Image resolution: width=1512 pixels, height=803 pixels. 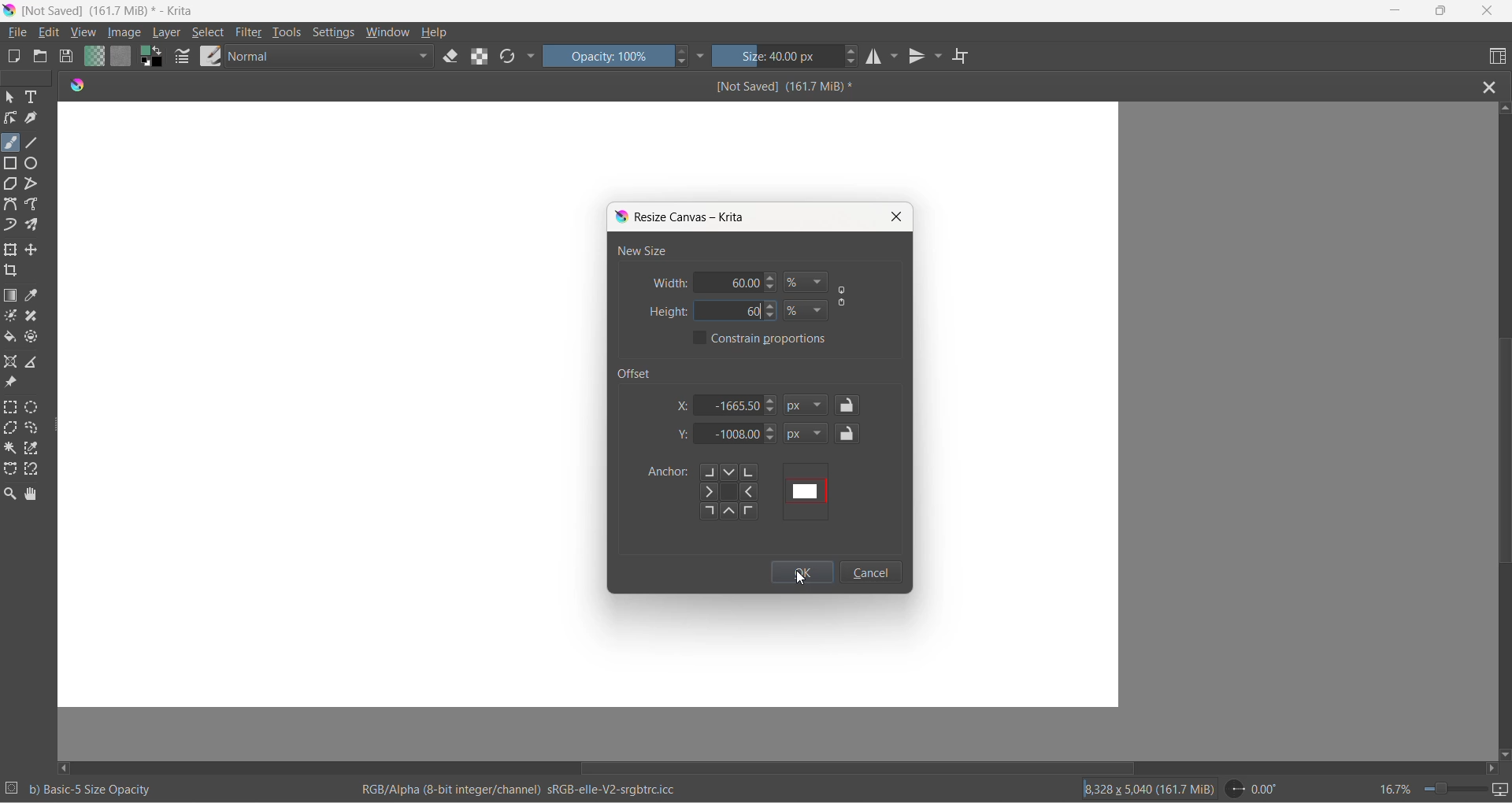 I want to click on horizontal mirror tool, so click(x=876, y=58).